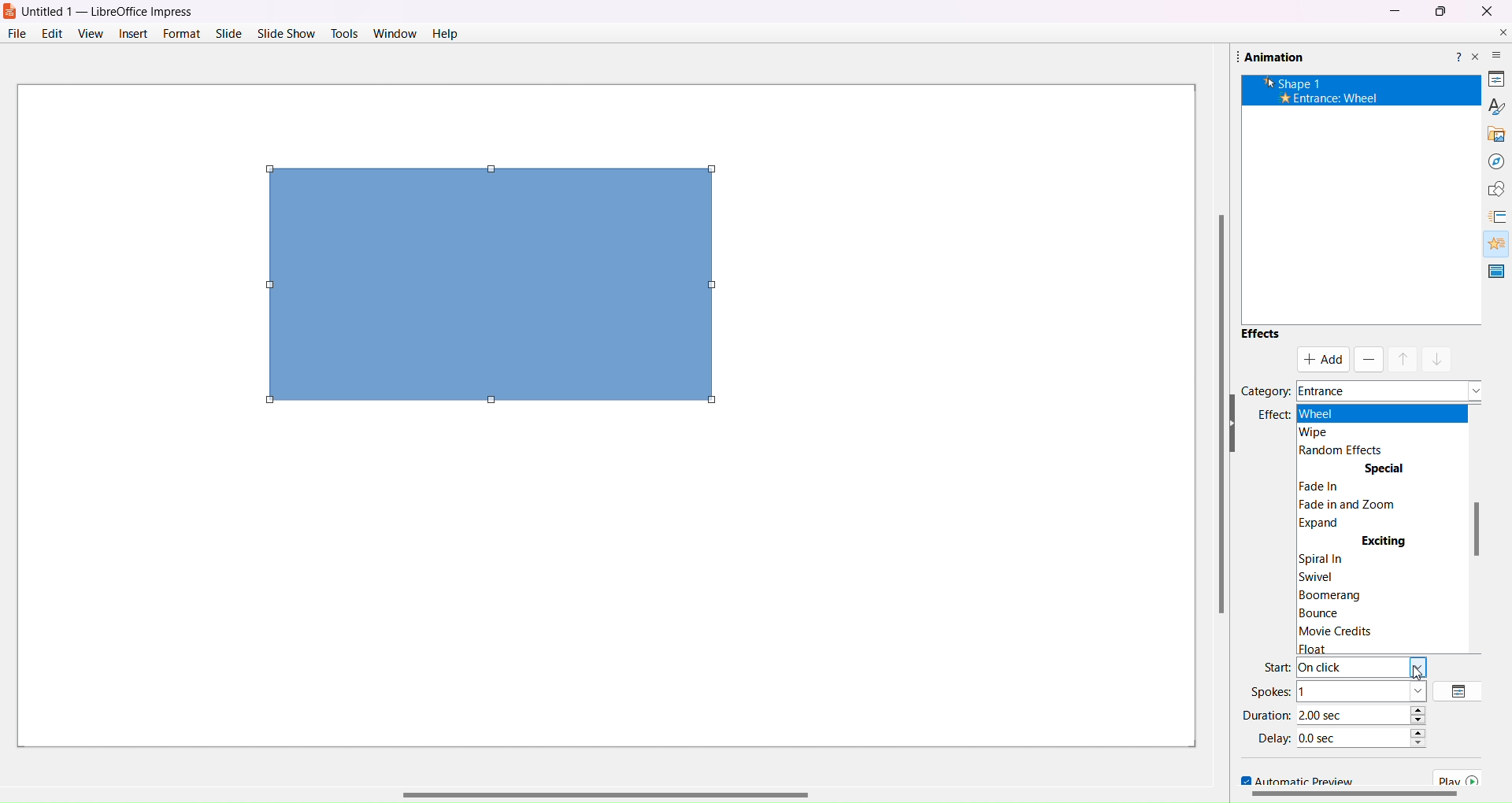 This screenshot has height=803, width=1512. Describe the element at coordinates (1426, 741) in the screenshot. I see `Time Increase/Decrease` at that location.